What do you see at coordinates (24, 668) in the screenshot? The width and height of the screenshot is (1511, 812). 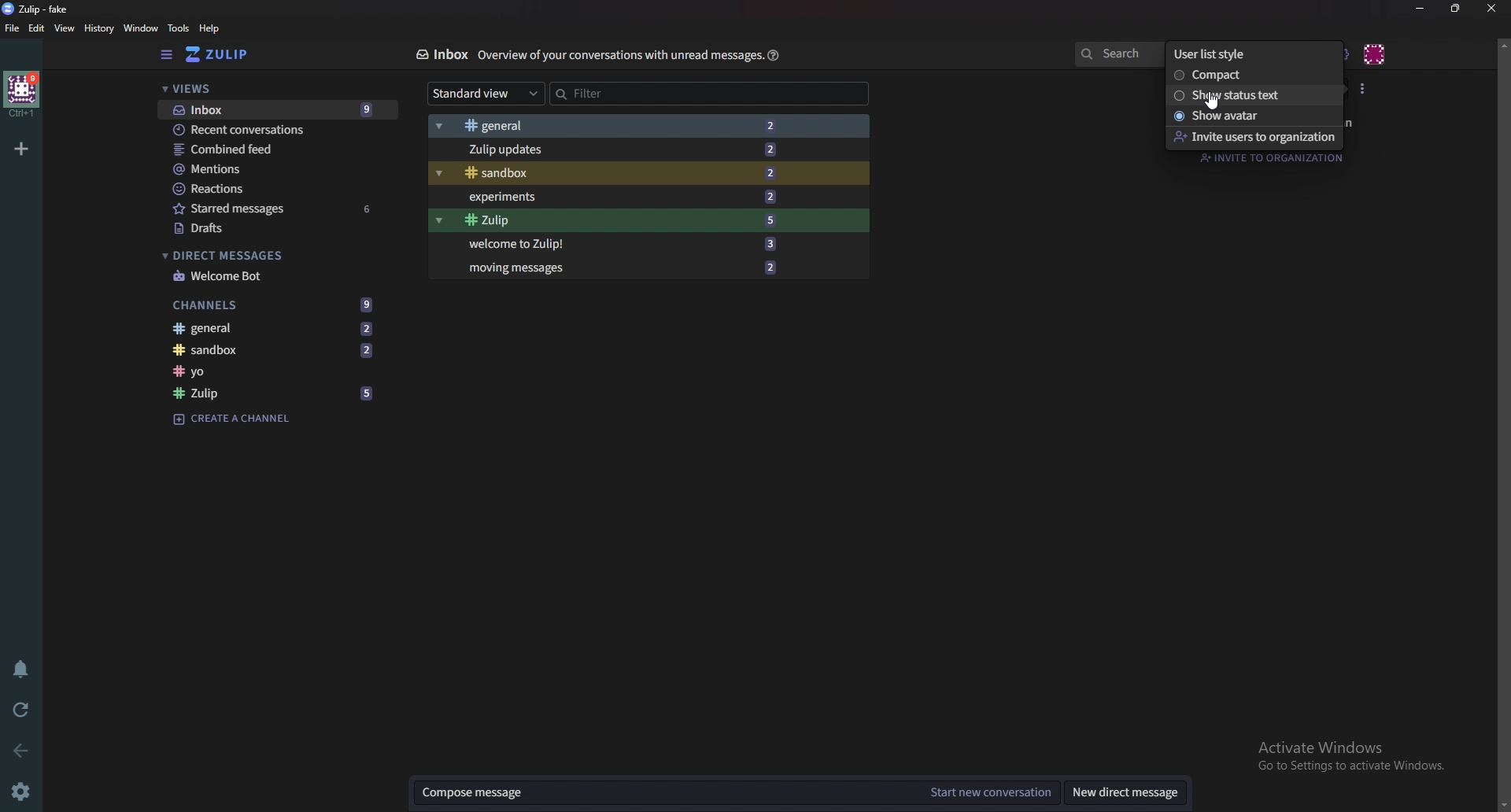 I see `Enable do not disturb` at bounding box center [24, 668].